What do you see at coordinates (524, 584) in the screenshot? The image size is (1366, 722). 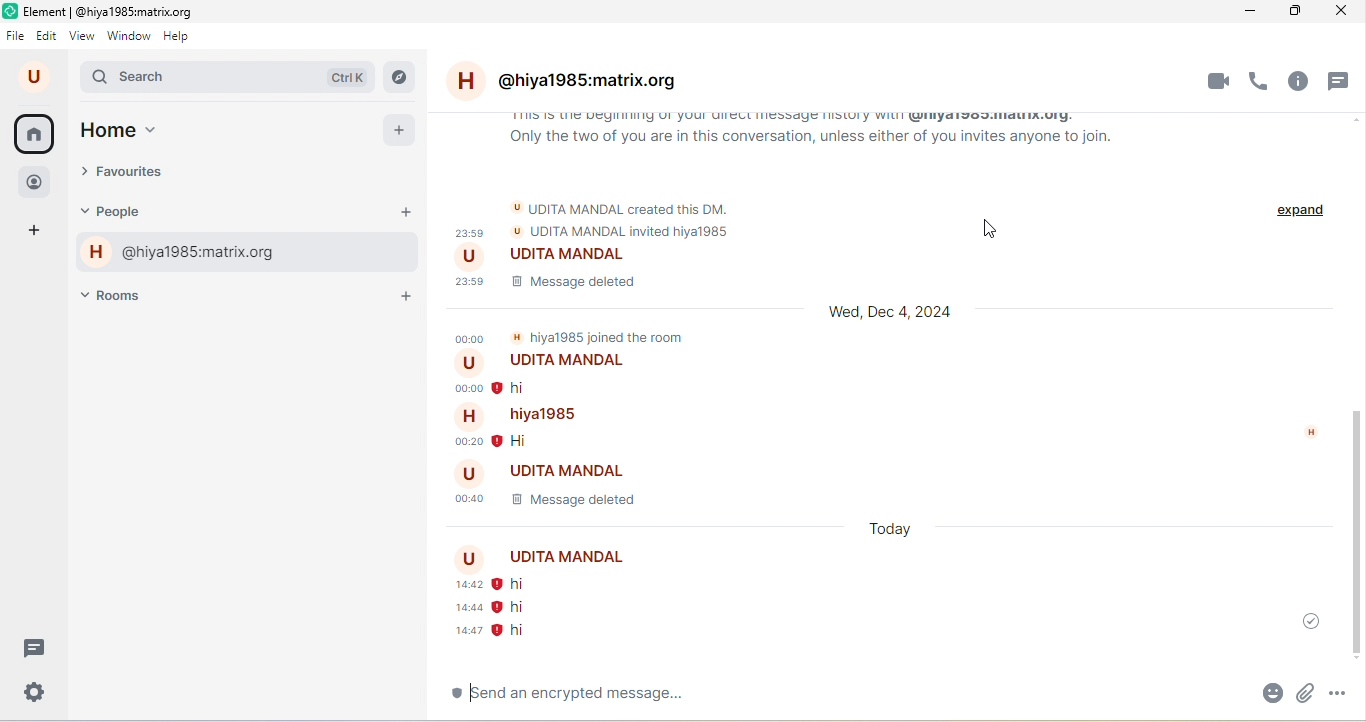 I see `hi` at bounding box center [524, 584].